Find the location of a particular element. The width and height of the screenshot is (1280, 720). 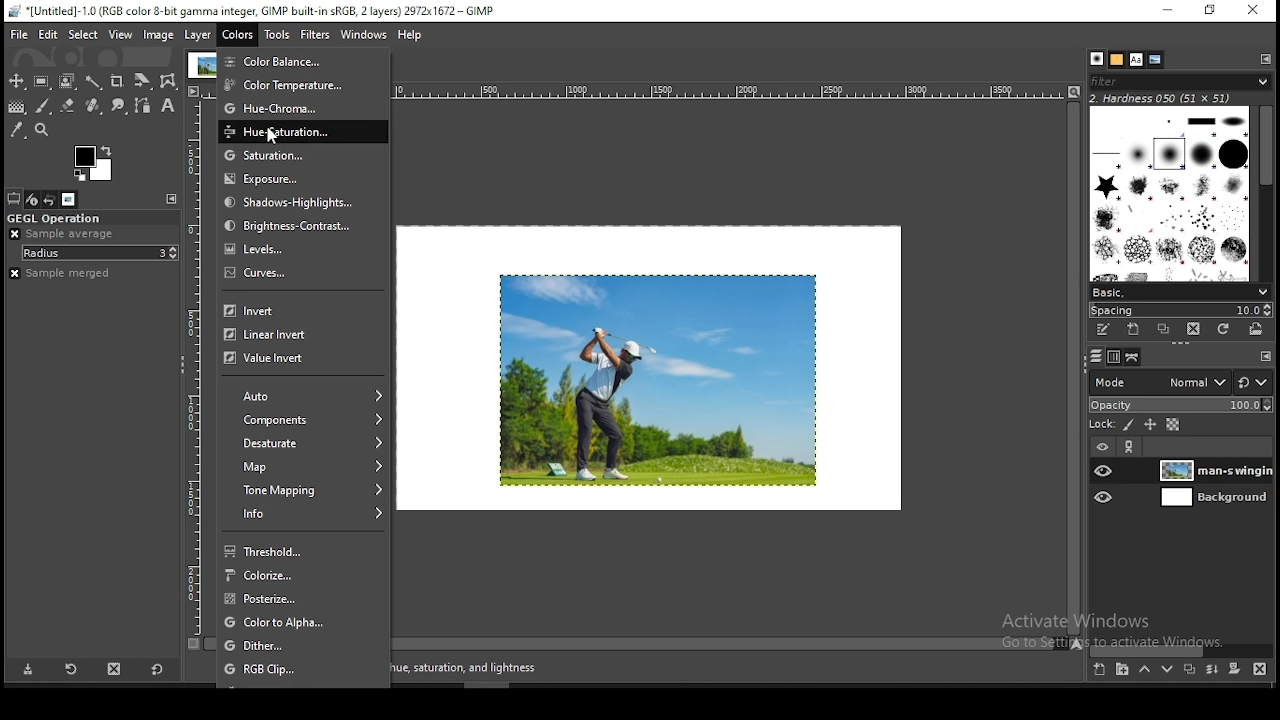

channels is located at coordinates (1113, 359).